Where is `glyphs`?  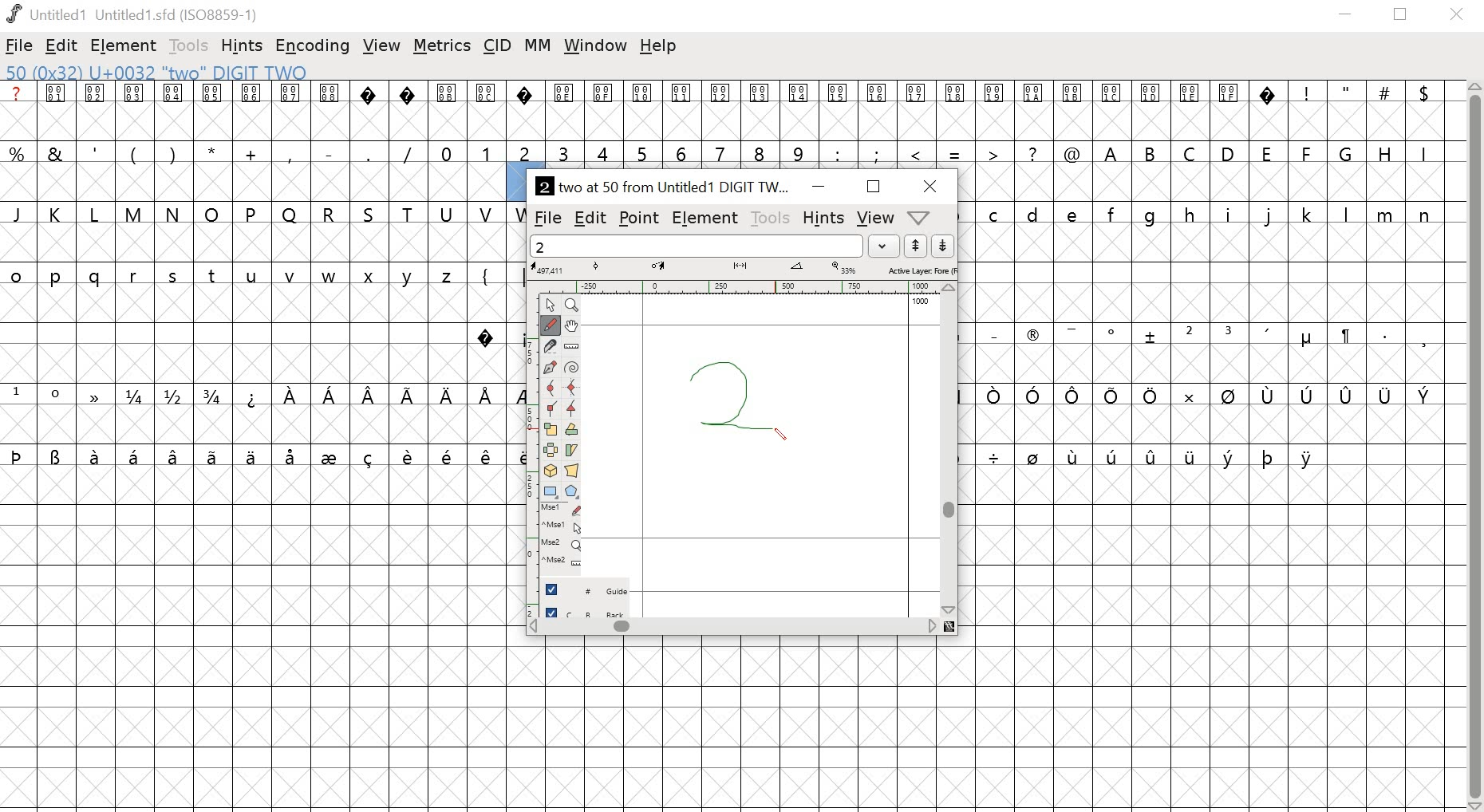 glyphs is located at coordinates (260, 279).